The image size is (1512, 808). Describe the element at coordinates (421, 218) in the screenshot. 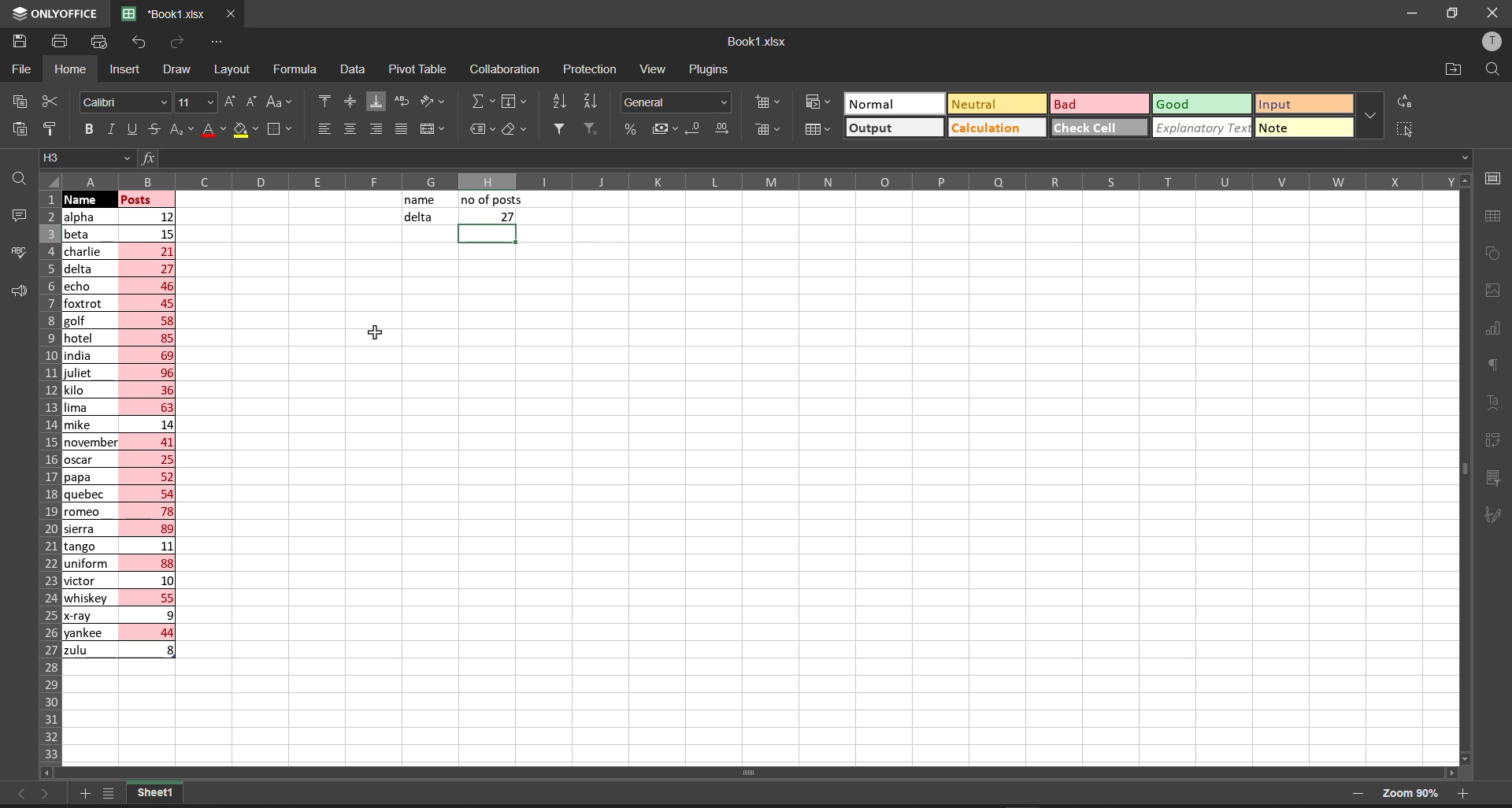

I see `delta` at that location.